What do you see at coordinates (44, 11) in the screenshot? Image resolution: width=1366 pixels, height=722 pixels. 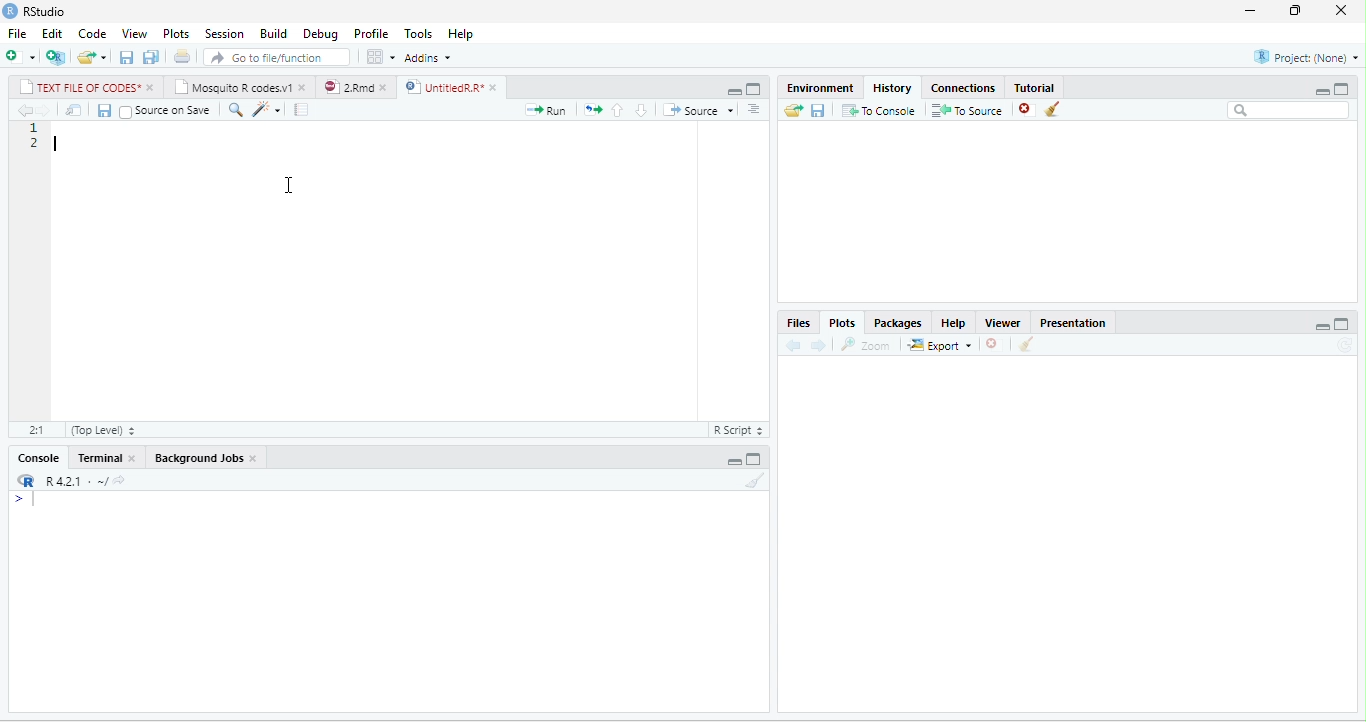 I see `RStudio` at bounding box center [44, 11].